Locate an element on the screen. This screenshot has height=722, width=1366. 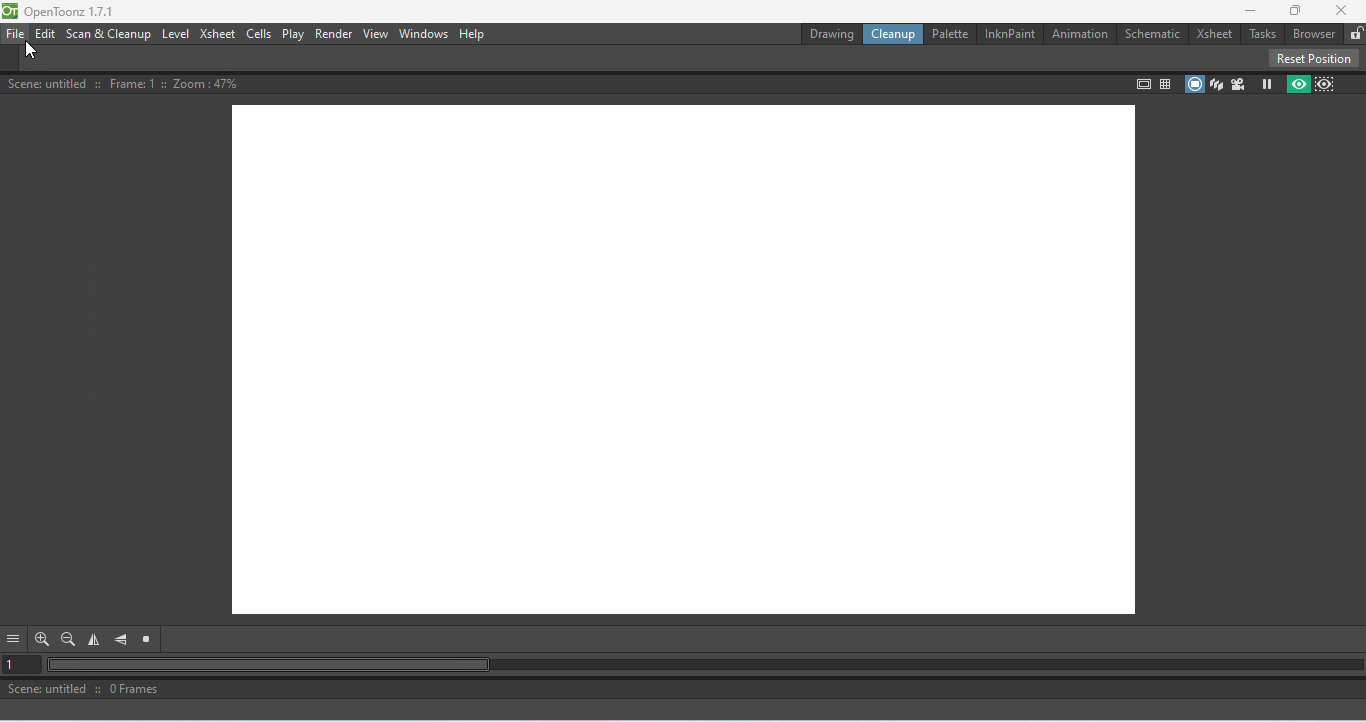
Canvas is located at coordinates (693, 362).